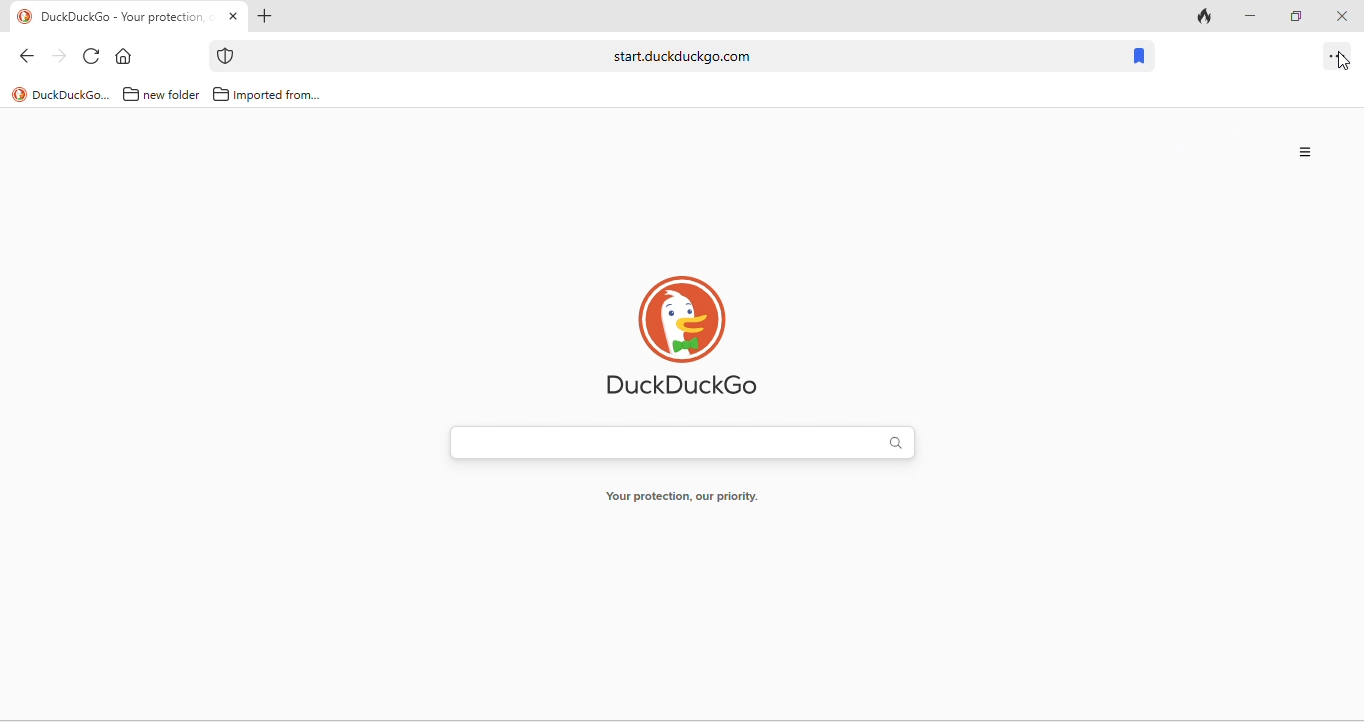 The width and height of the screenshot is (1364, 722). Describe the element at coordinates (93, 56) in the screenshot. I see `reload` at that location.